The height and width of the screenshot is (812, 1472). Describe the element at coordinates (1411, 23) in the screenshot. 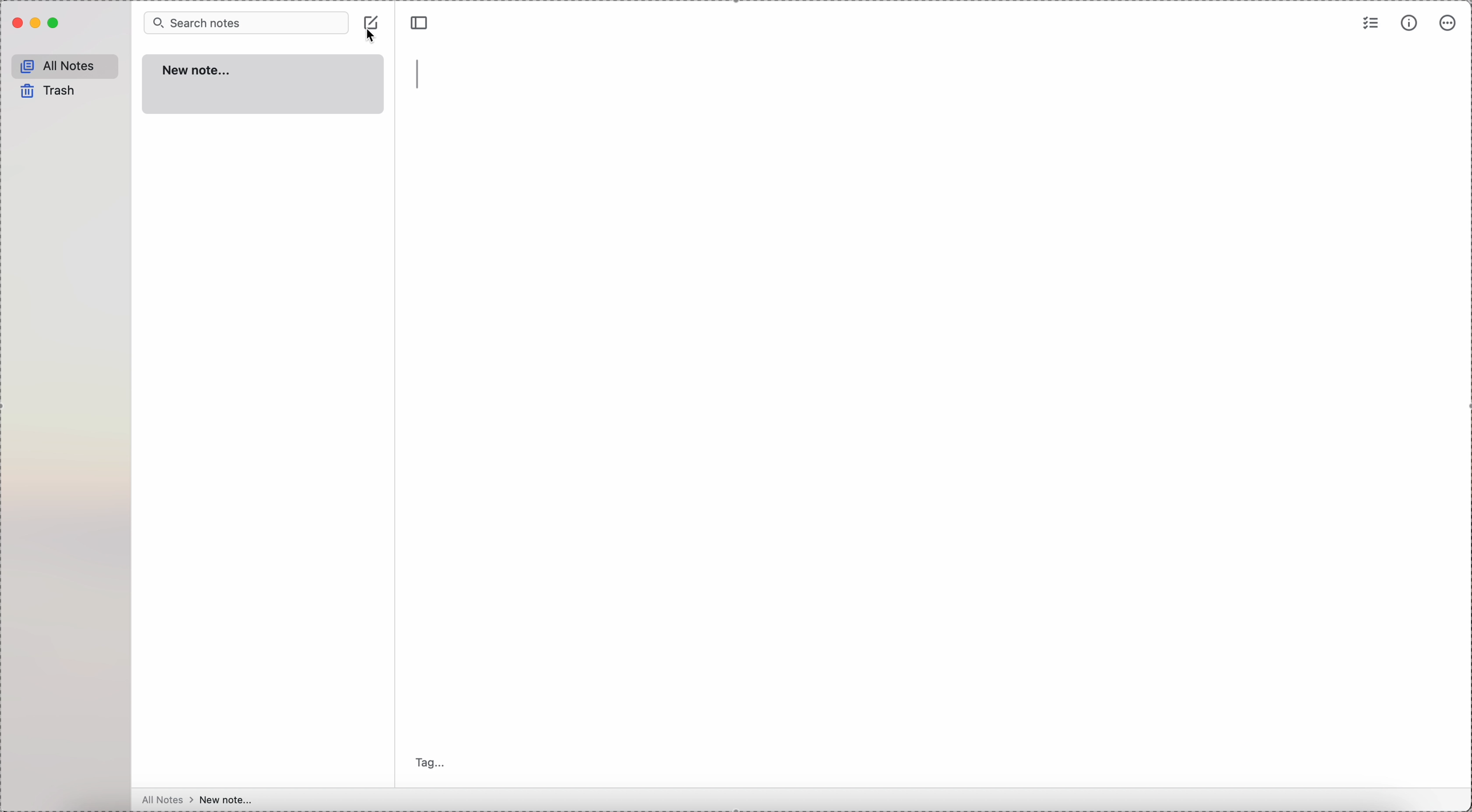

I see `metrics` at that location.